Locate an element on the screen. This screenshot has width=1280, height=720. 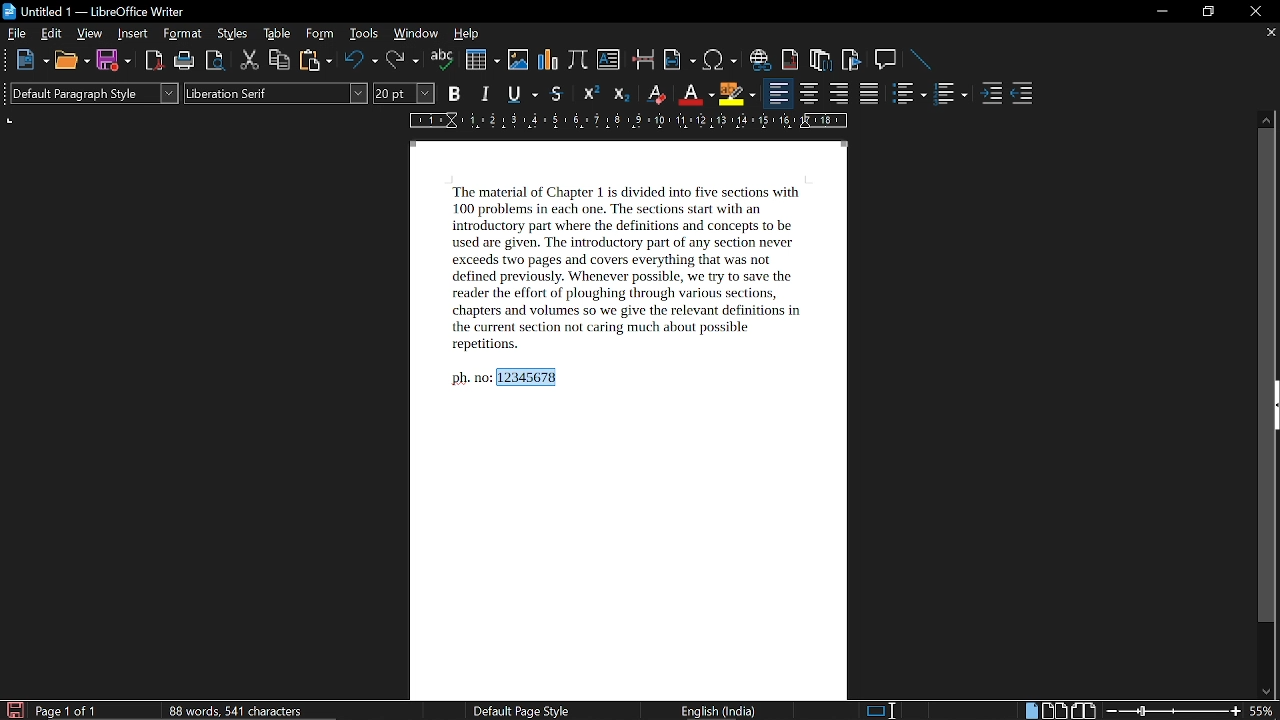
spell check is located at coordinates (443, 61).